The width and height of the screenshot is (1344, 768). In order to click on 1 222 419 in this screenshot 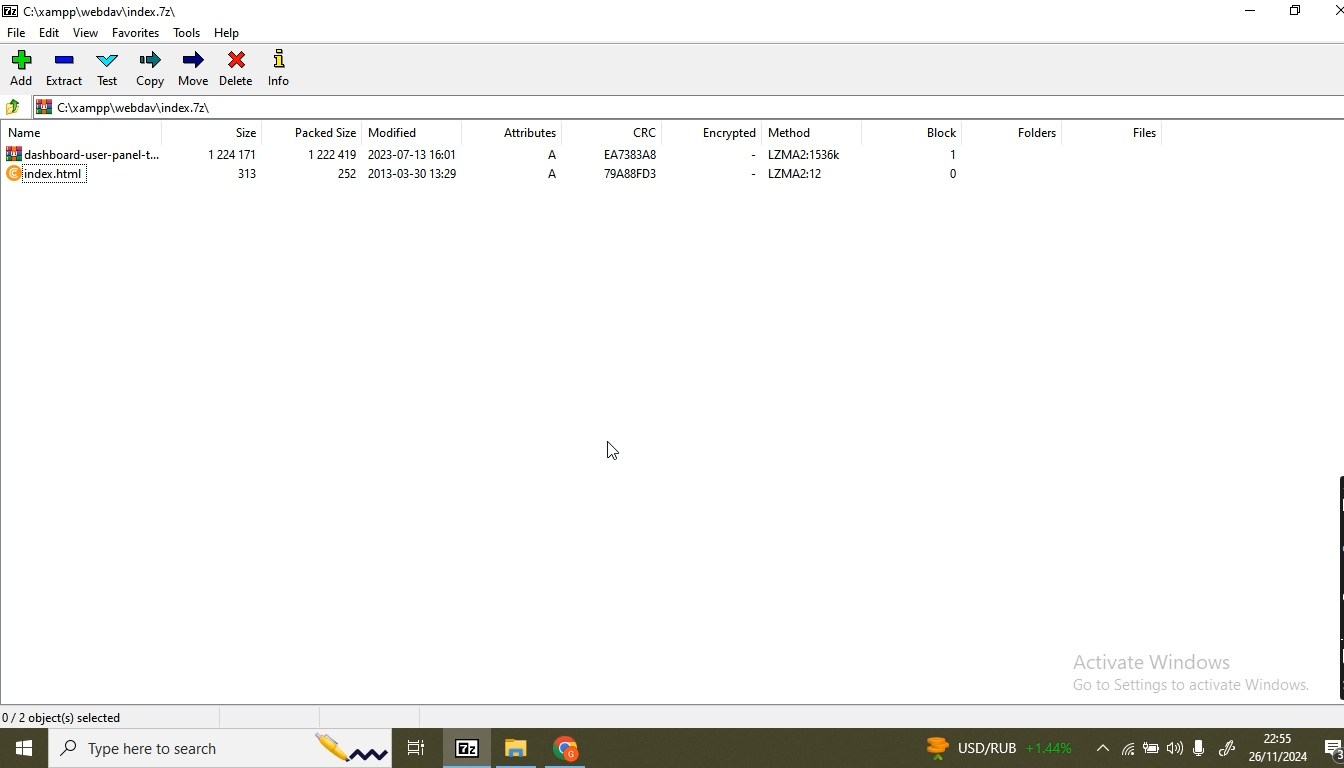, I will do `click(327, 154)`.